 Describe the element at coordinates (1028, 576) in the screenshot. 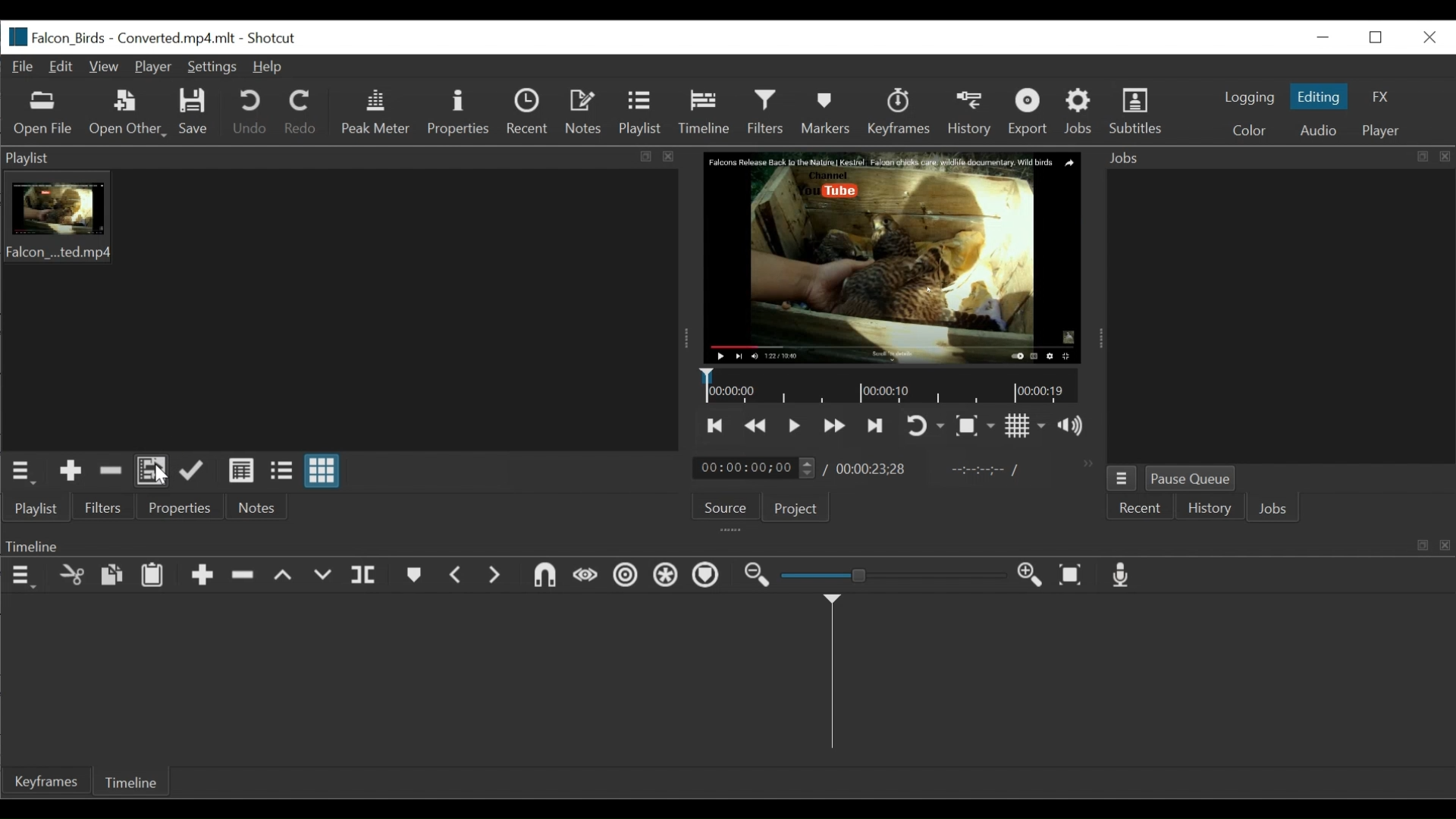

I see `Zoom timeline in` at that location.